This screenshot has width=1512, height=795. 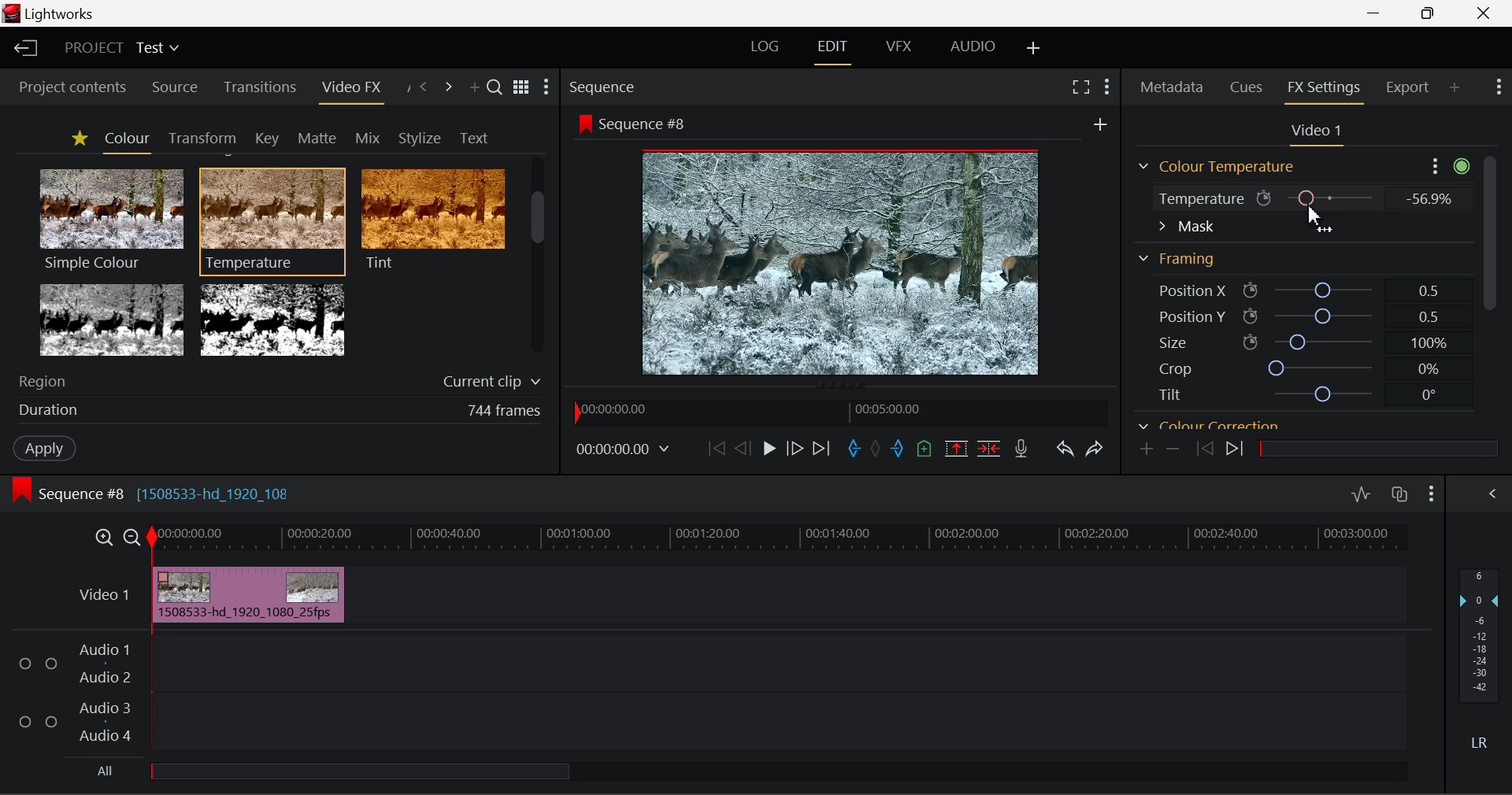 I want to click on icon, so click(x=1251, y=316).